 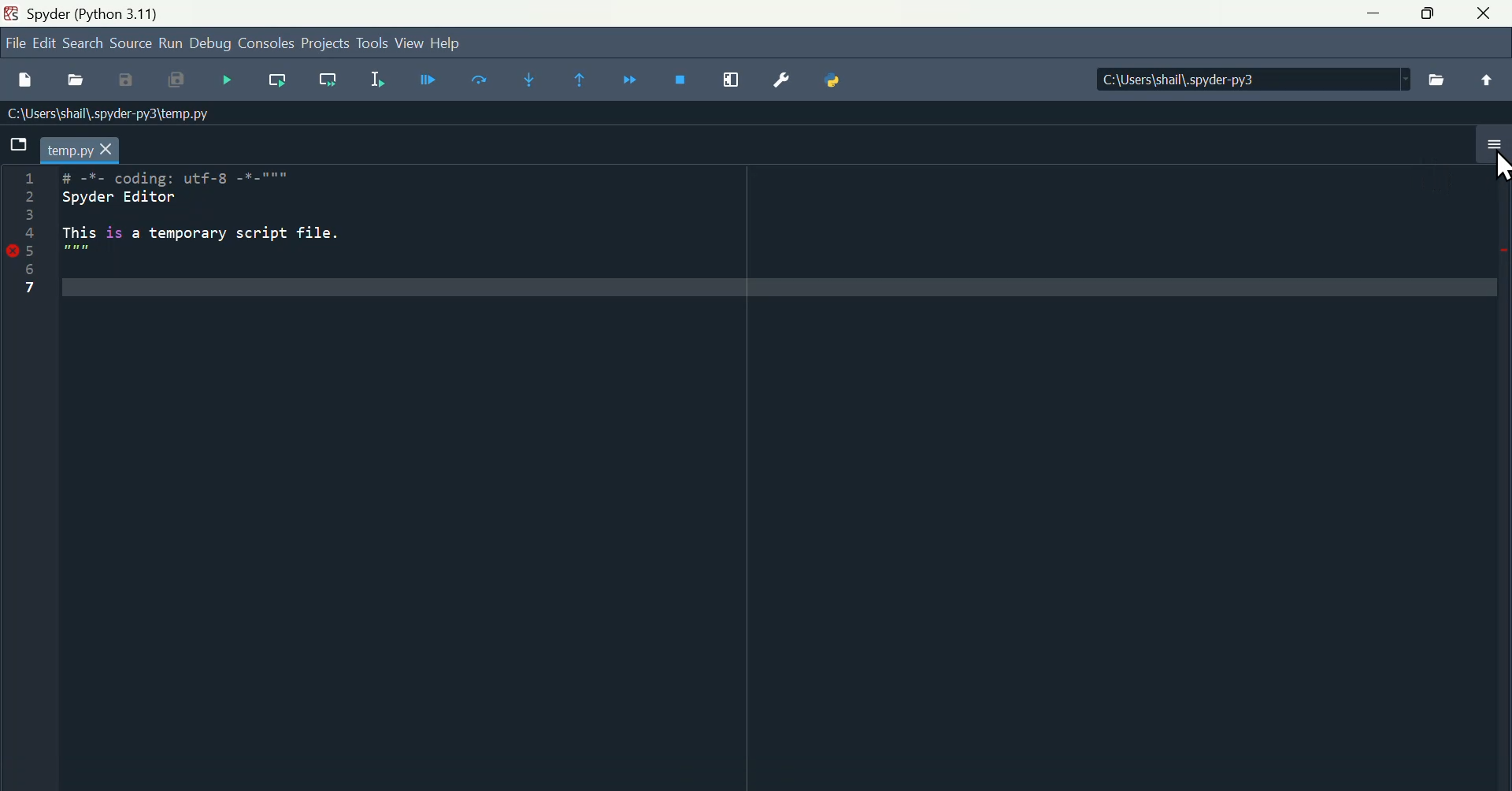 What do you see at coordinates (480, 83) in the screenshot?
I see `Run current cell` at bounding box center [480, 83].